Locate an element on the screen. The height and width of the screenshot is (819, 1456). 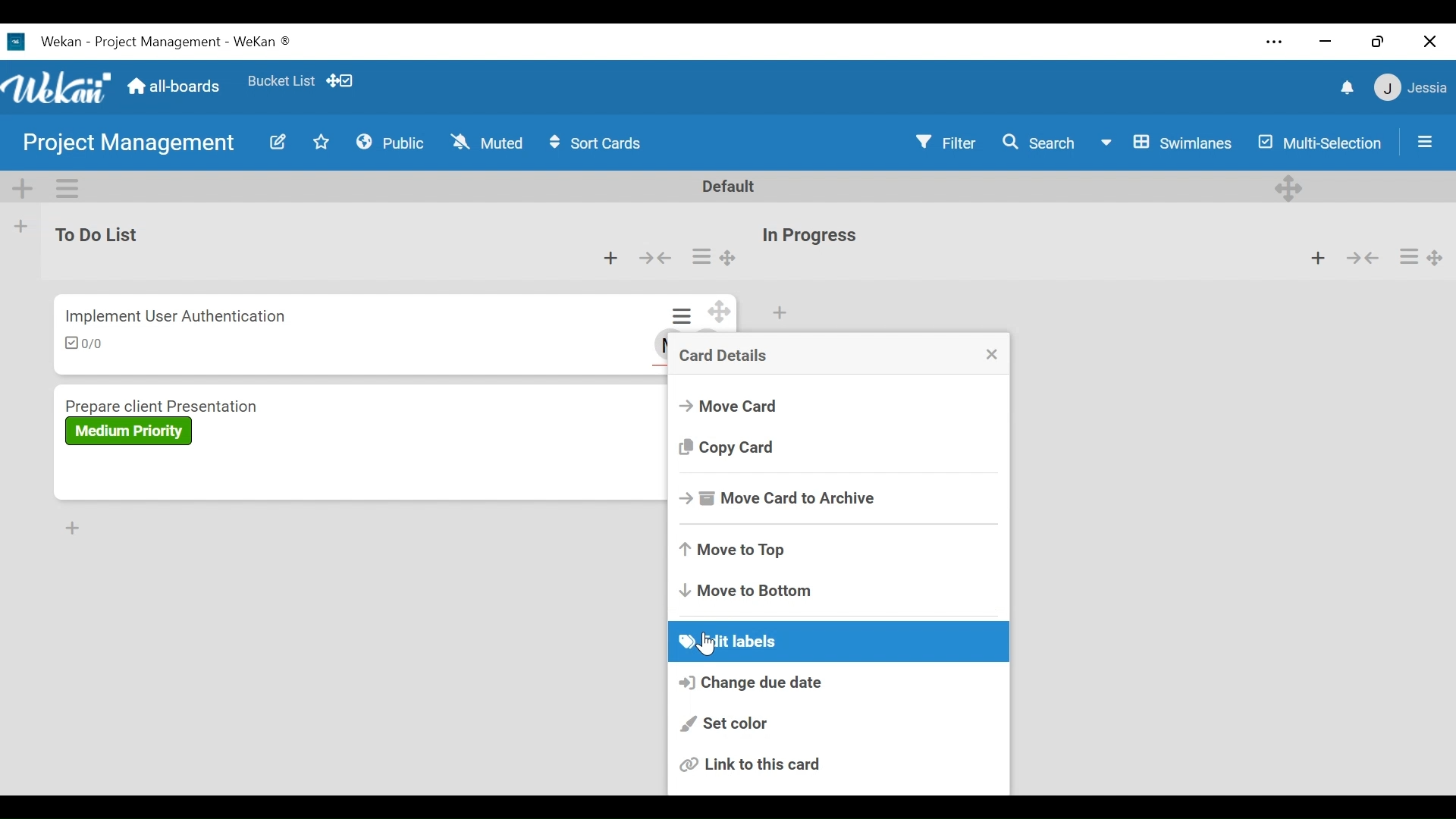
Home (all-boards) is located at coordinates (172, 86).